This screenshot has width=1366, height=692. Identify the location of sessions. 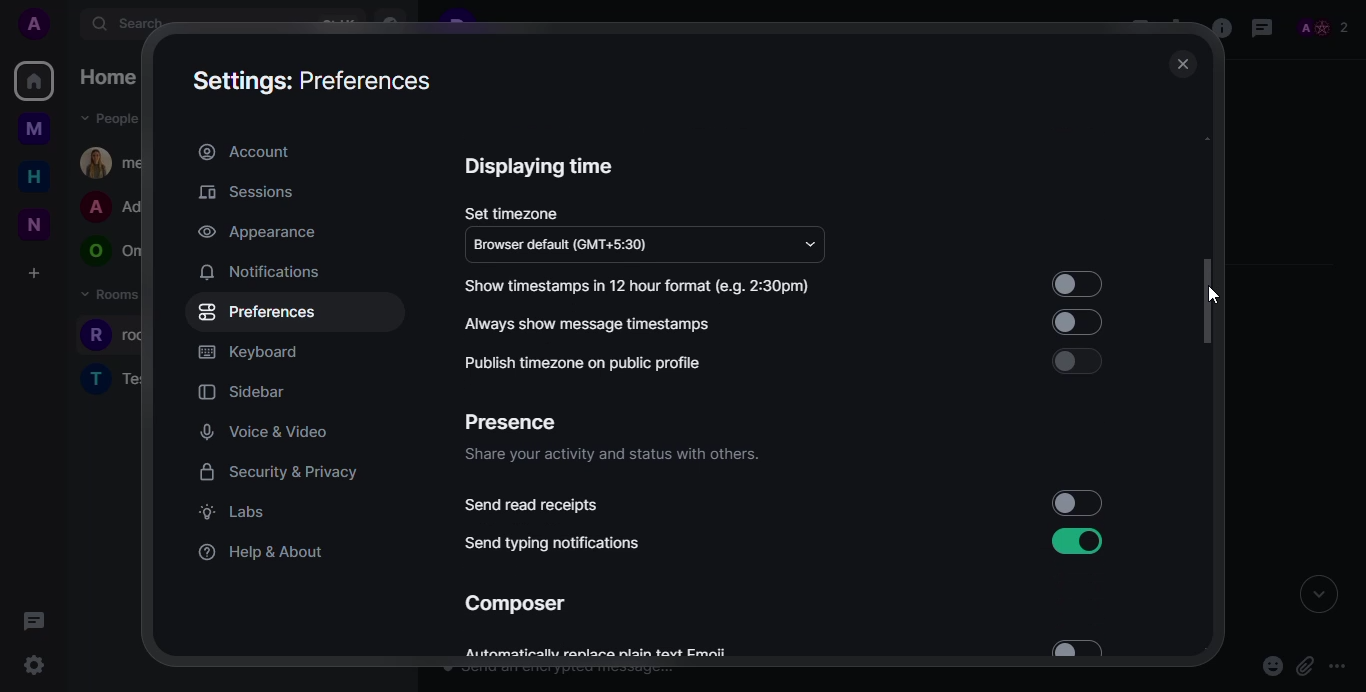
(246, 192).